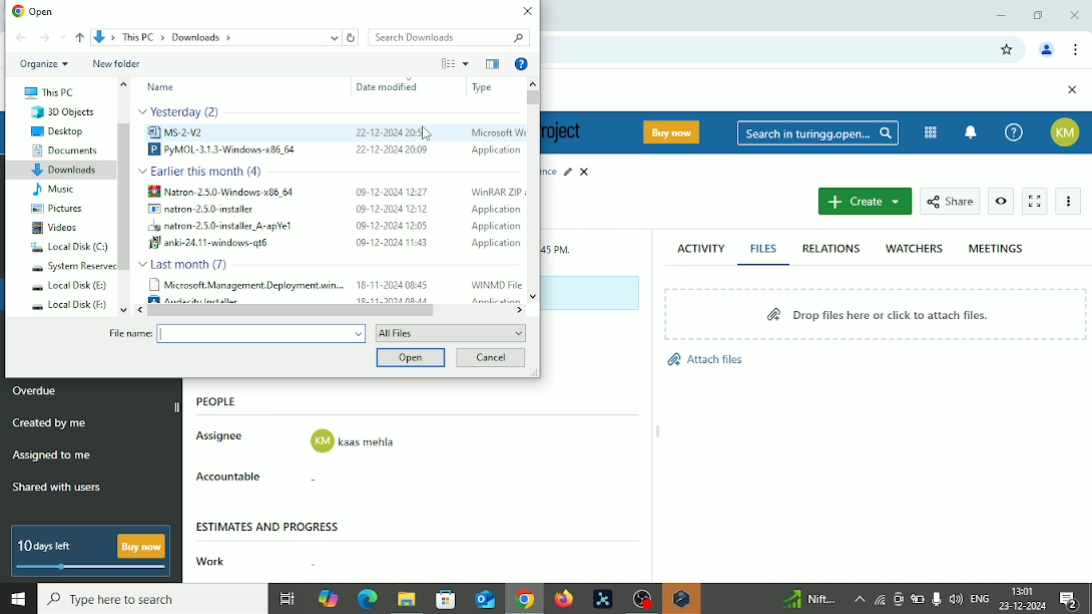 Image resolution: width=1092 pixels, height=614 pixels. I want to click on slide bar indicating how many days left for free version, so click(94, 569).